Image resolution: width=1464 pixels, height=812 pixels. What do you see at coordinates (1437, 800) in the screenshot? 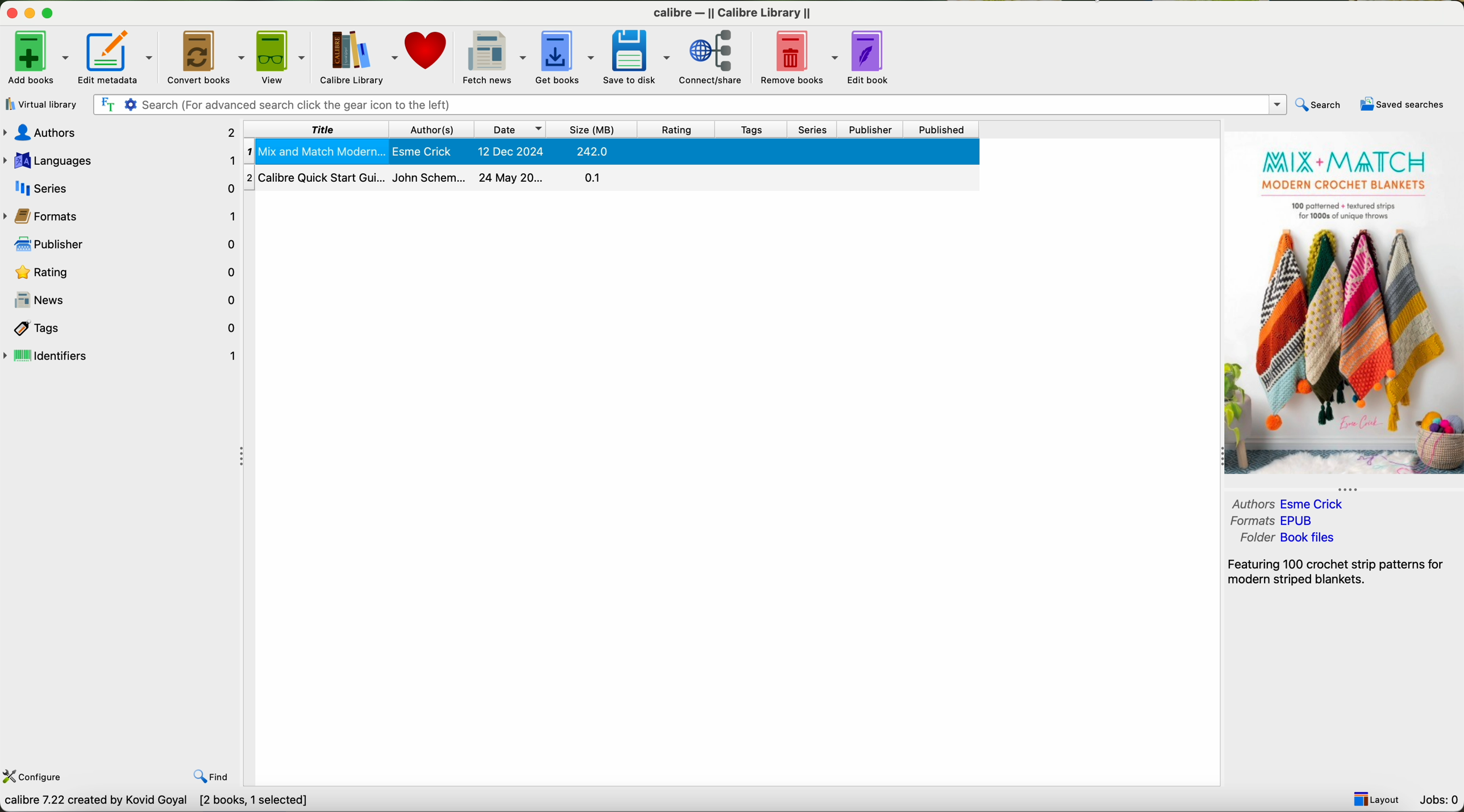
I see `Jobs: 0` at bounding box center [1437, 800].